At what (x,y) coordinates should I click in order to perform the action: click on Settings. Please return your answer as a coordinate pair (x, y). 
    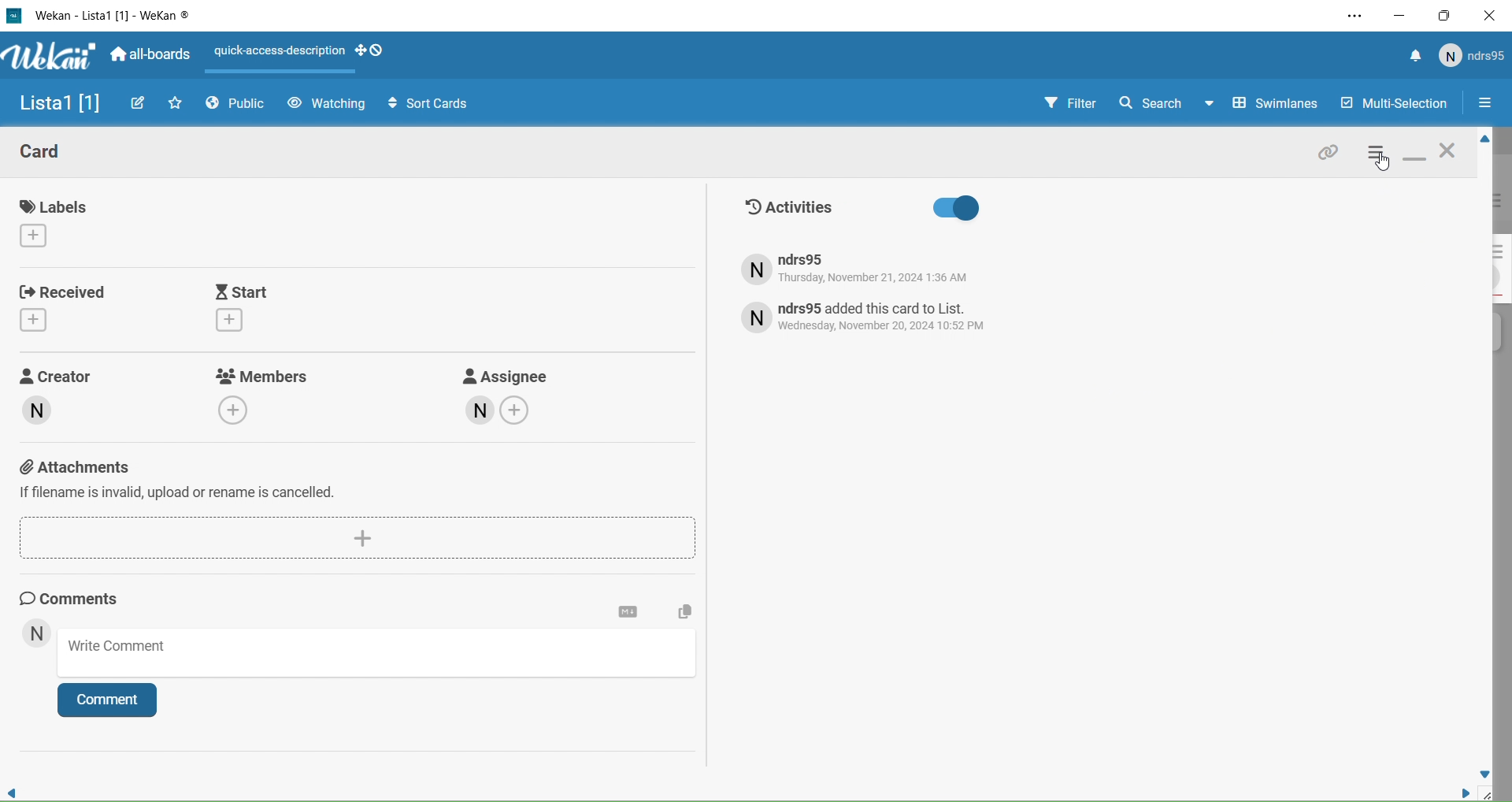
    Looking at the image, I should click on (1377, 157).